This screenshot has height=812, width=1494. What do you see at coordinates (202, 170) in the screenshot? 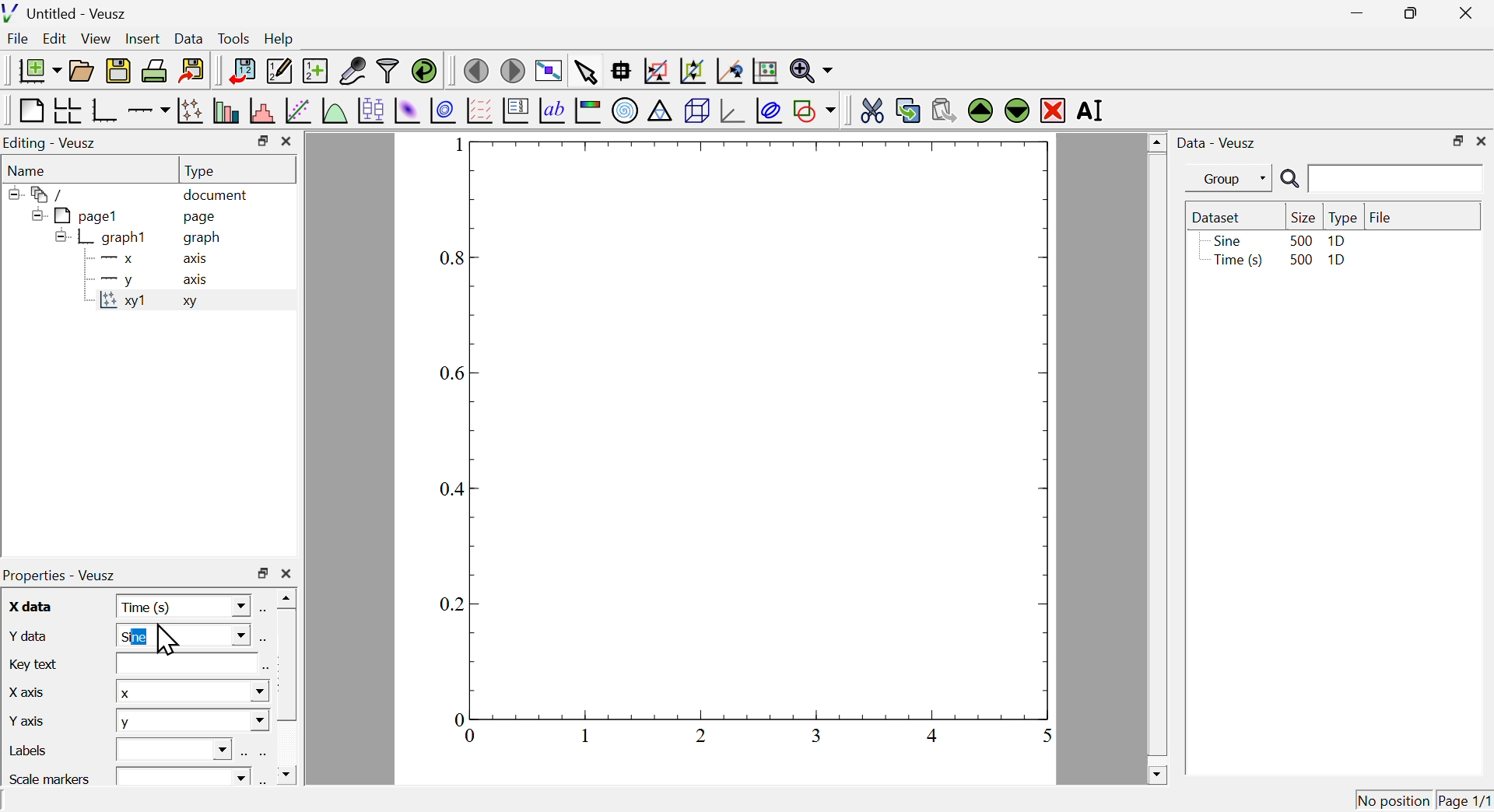
I see `type` at bounding box center [202, 170].